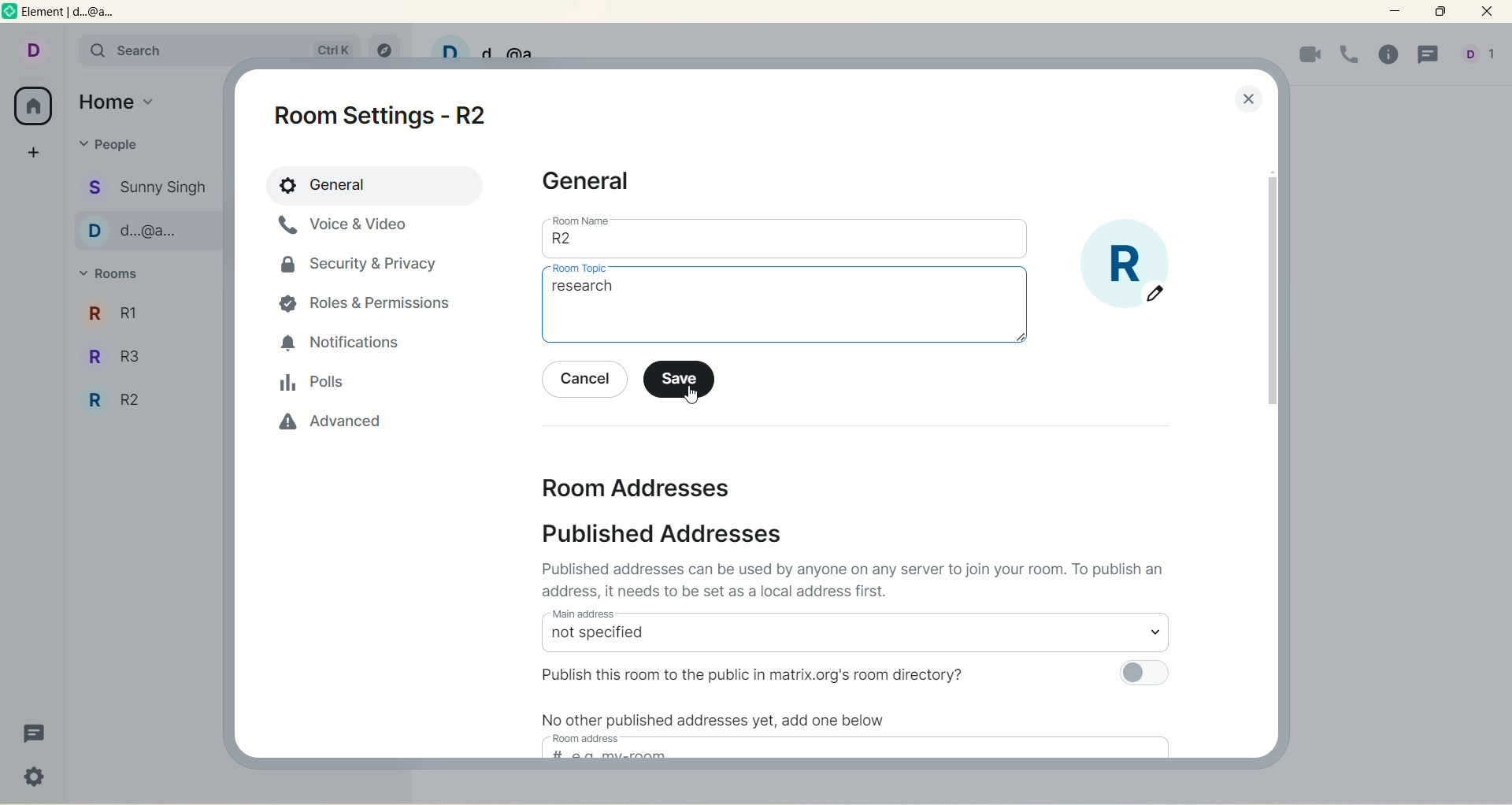  Describe the element at coordinates (1482, 55) in the screenshot. I see `account` at that location.